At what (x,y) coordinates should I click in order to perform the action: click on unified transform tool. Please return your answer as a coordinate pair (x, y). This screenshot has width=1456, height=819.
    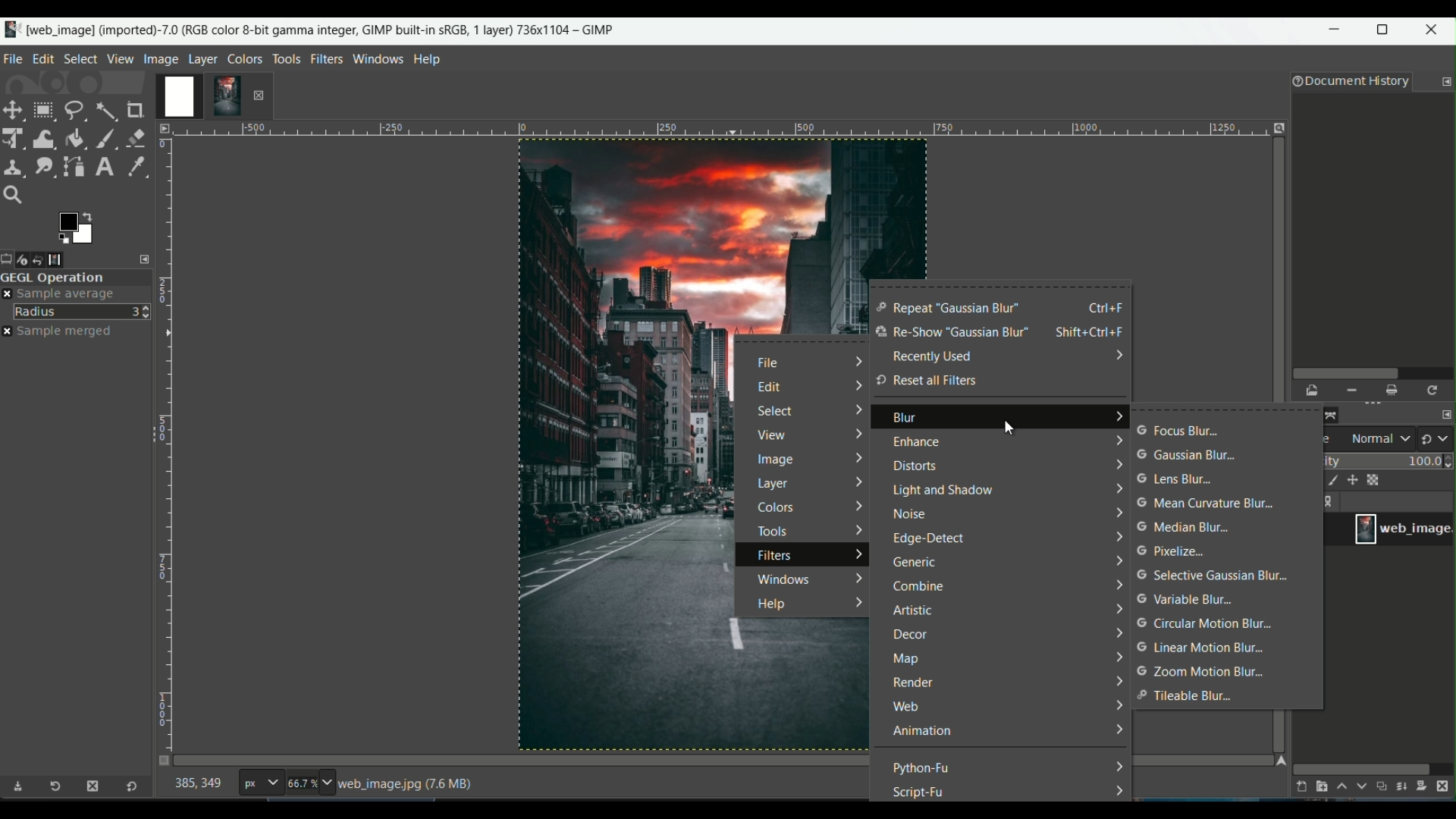
    Looking at the image, I should click on (14, 137).